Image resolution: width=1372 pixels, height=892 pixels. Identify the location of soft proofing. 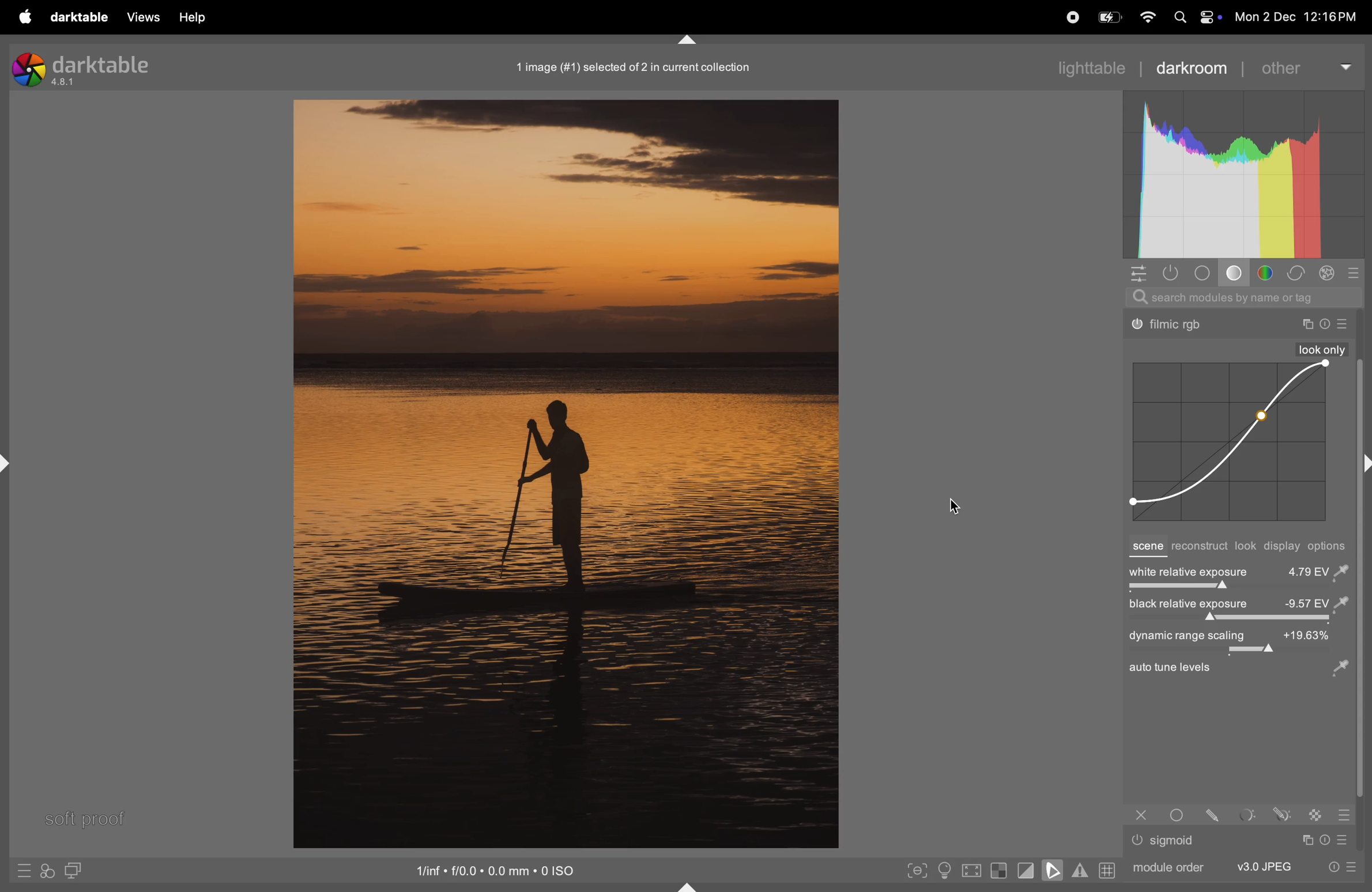
(1055, 870).